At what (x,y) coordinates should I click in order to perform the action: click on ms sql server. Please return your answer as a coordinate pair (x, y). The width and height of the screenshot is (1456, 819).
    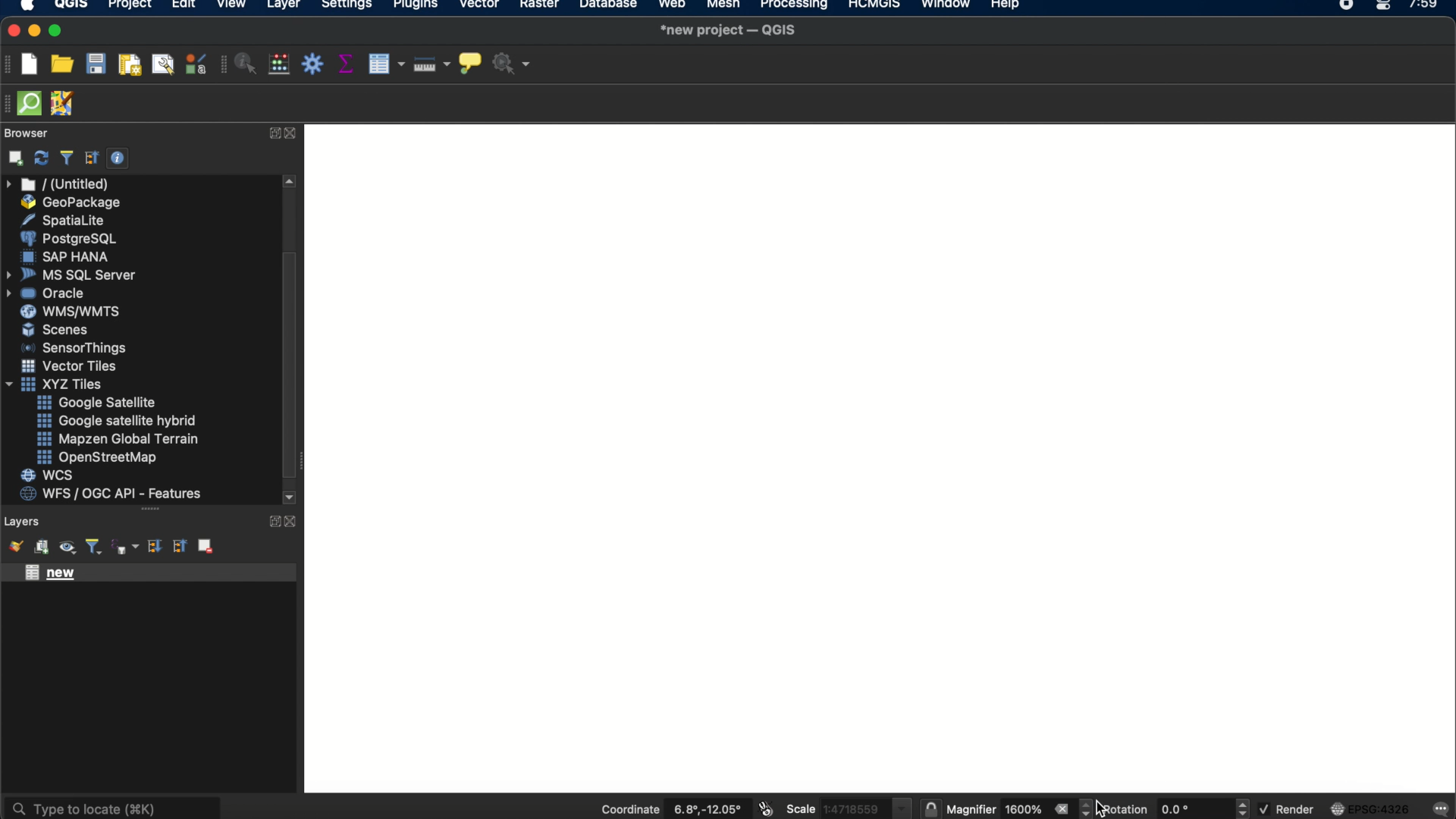
    Looking at the image, I should click on (74, 274).